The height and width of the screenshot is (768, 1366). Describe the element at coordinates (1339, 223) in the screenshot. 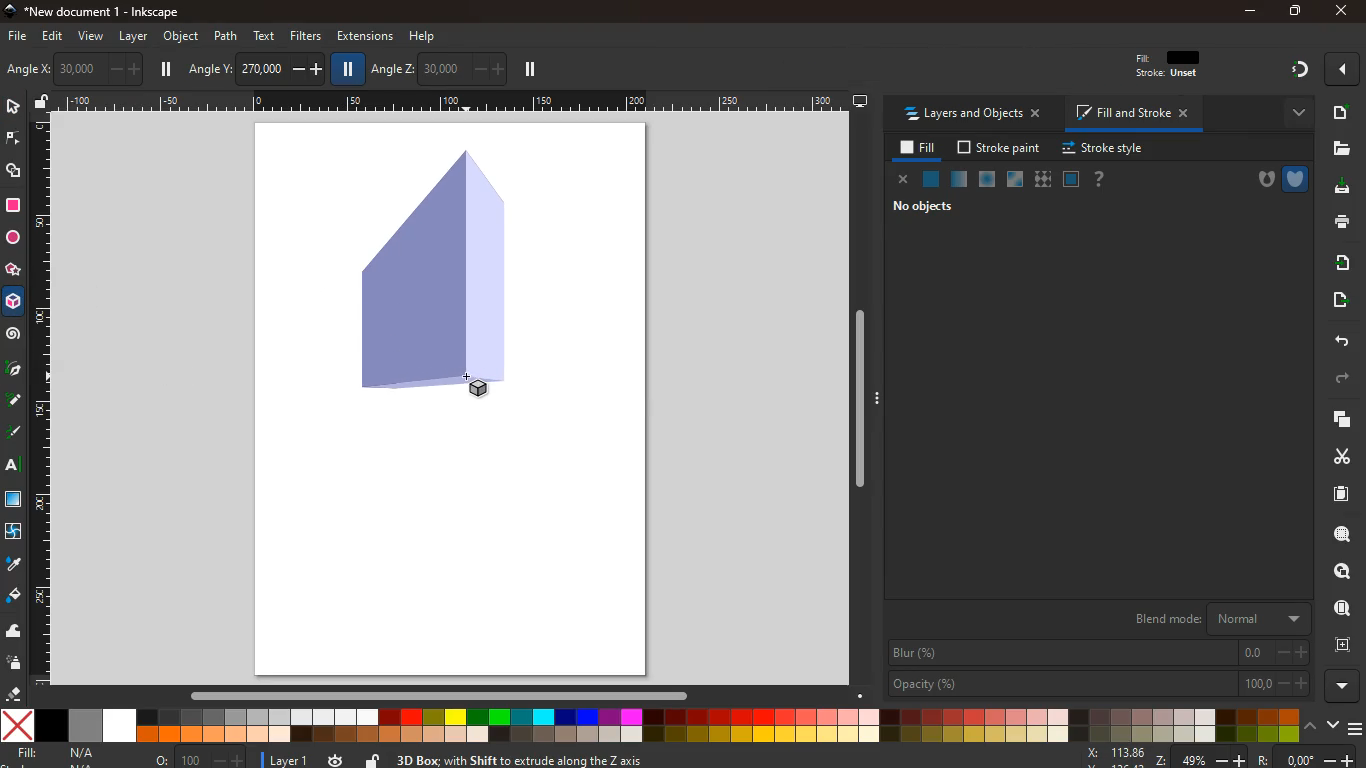

I see `print` at that location.